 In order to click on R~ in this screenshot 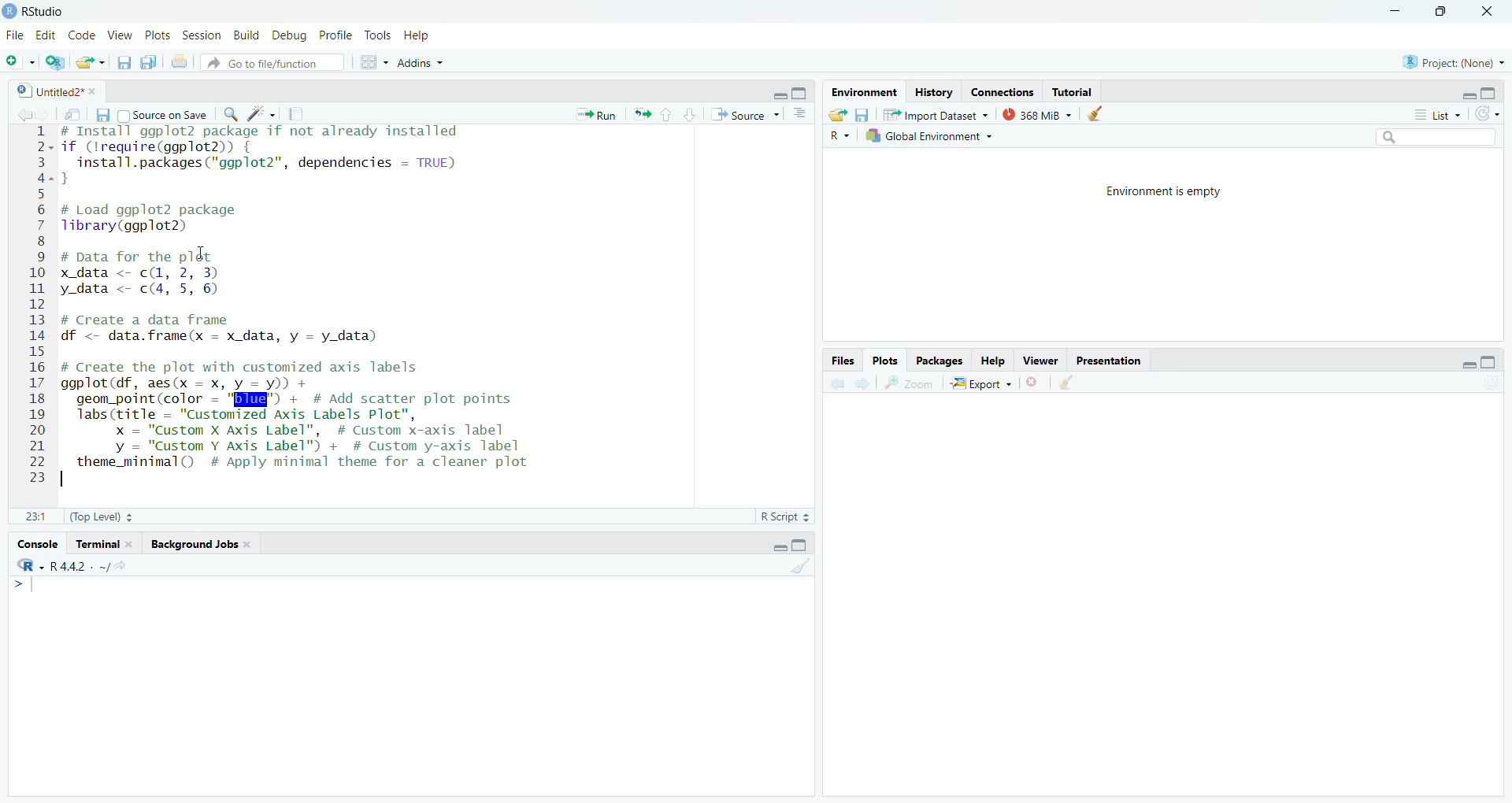, I will do `click(838, 135)`.